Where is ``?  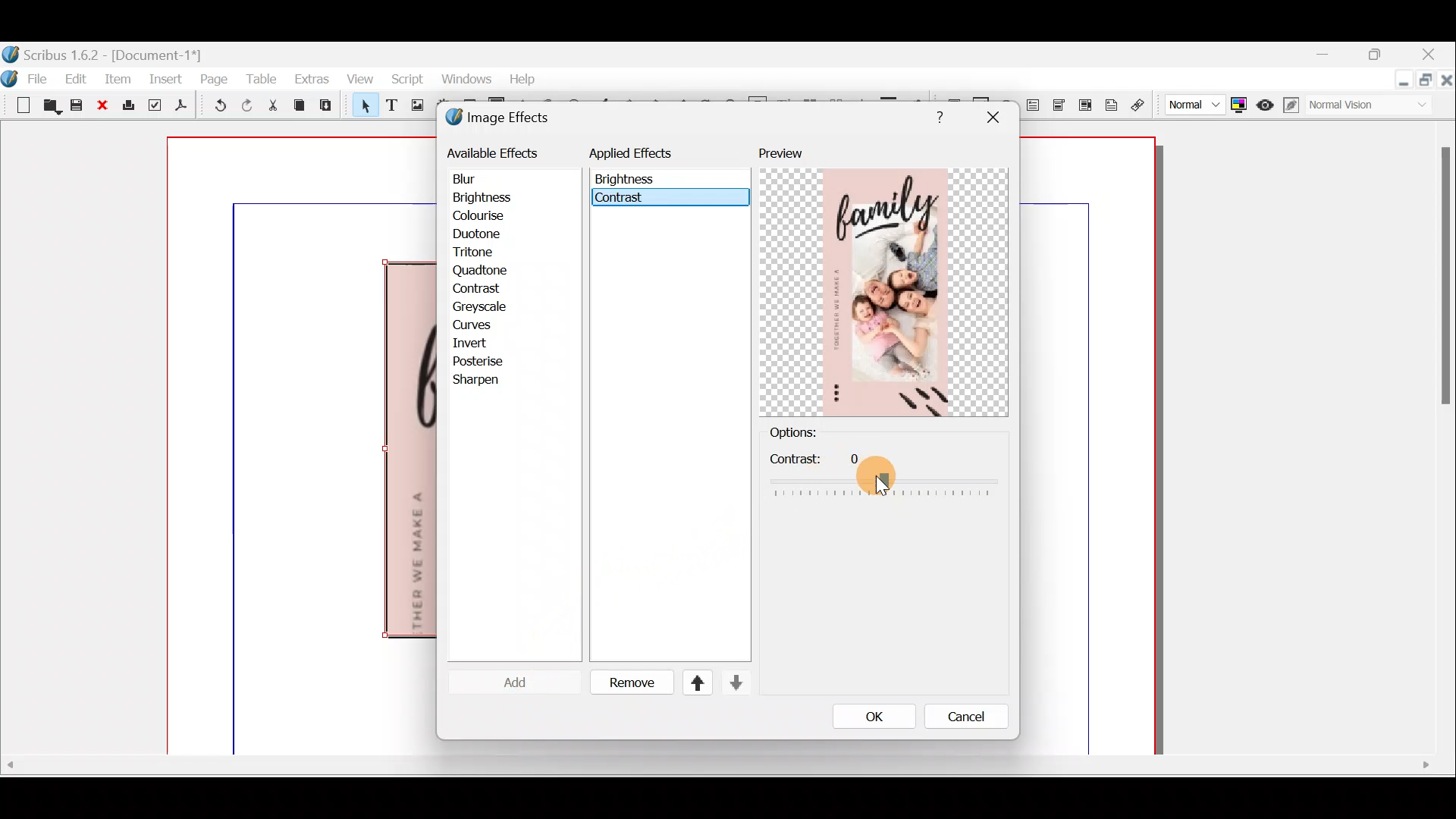
 is located at coordinates (1442, 283).